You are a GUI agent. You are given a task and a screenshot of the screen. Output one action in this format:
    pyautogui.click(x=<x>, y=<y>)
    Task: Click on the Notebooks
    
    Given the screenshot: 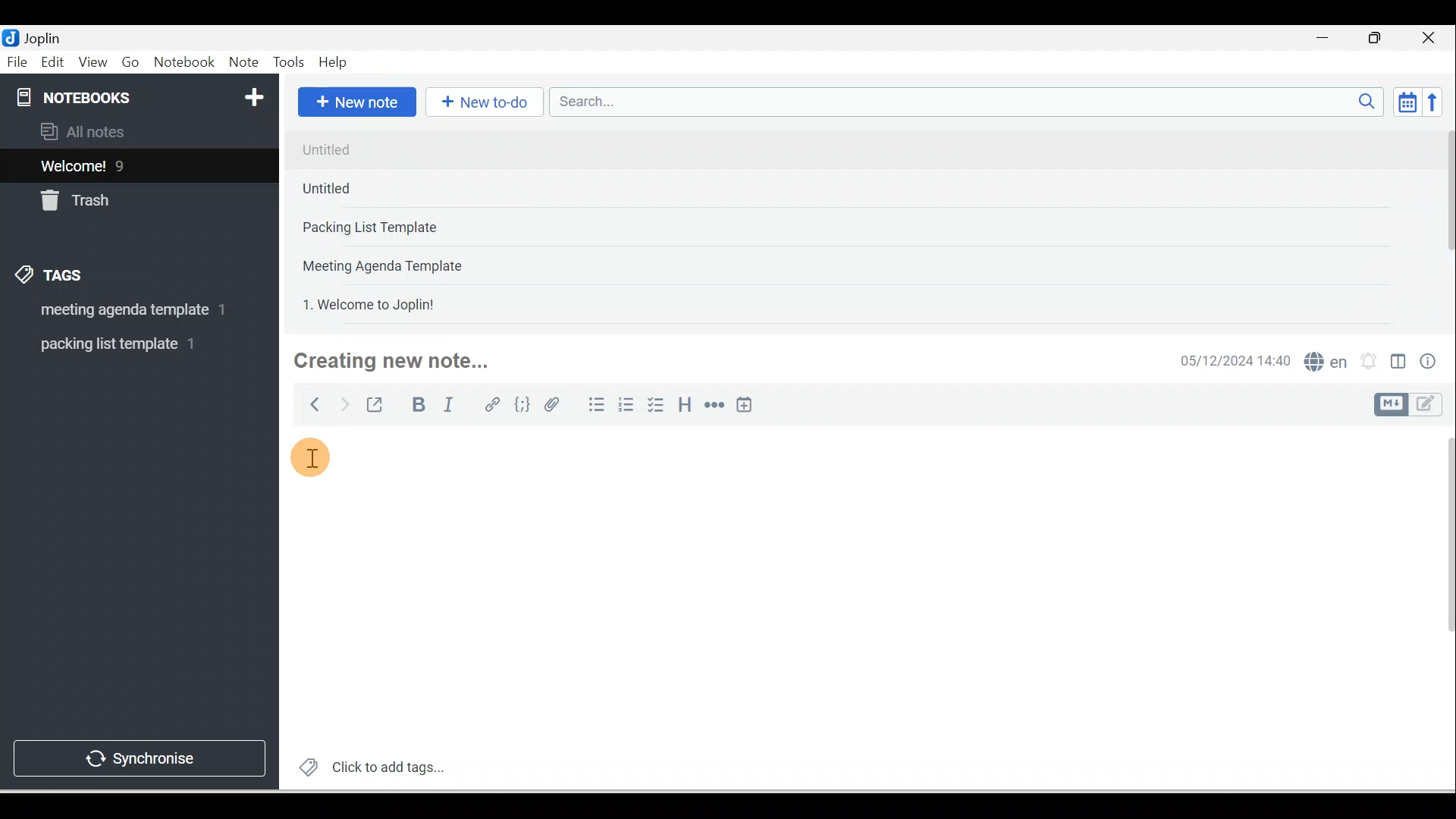 What is the action you would take?
    pyautogui.click(x=143, y=94)
    